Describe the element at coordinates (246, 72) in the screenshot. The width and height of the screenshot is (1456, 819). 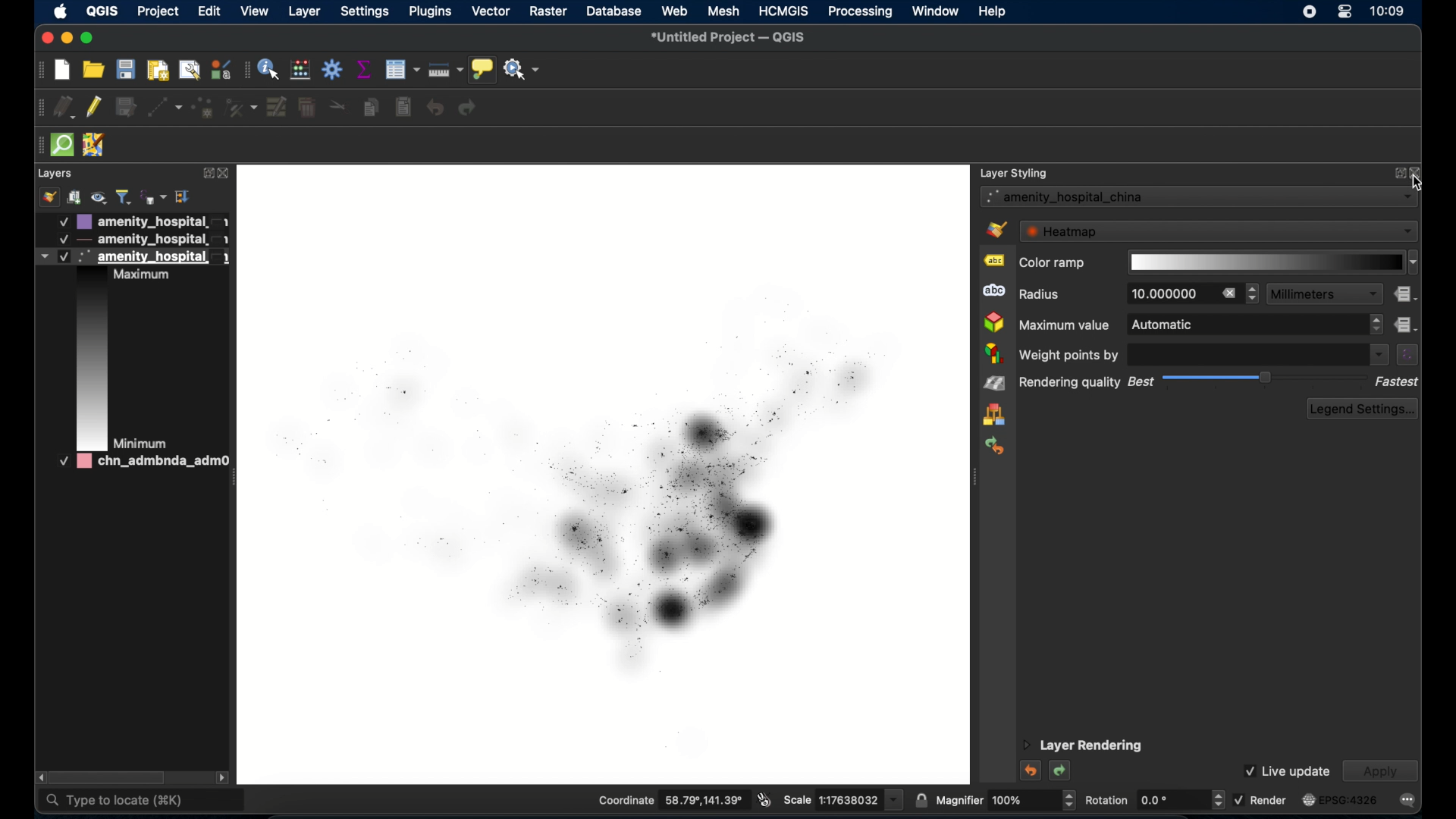
I see `attribute toolbar` at that location.